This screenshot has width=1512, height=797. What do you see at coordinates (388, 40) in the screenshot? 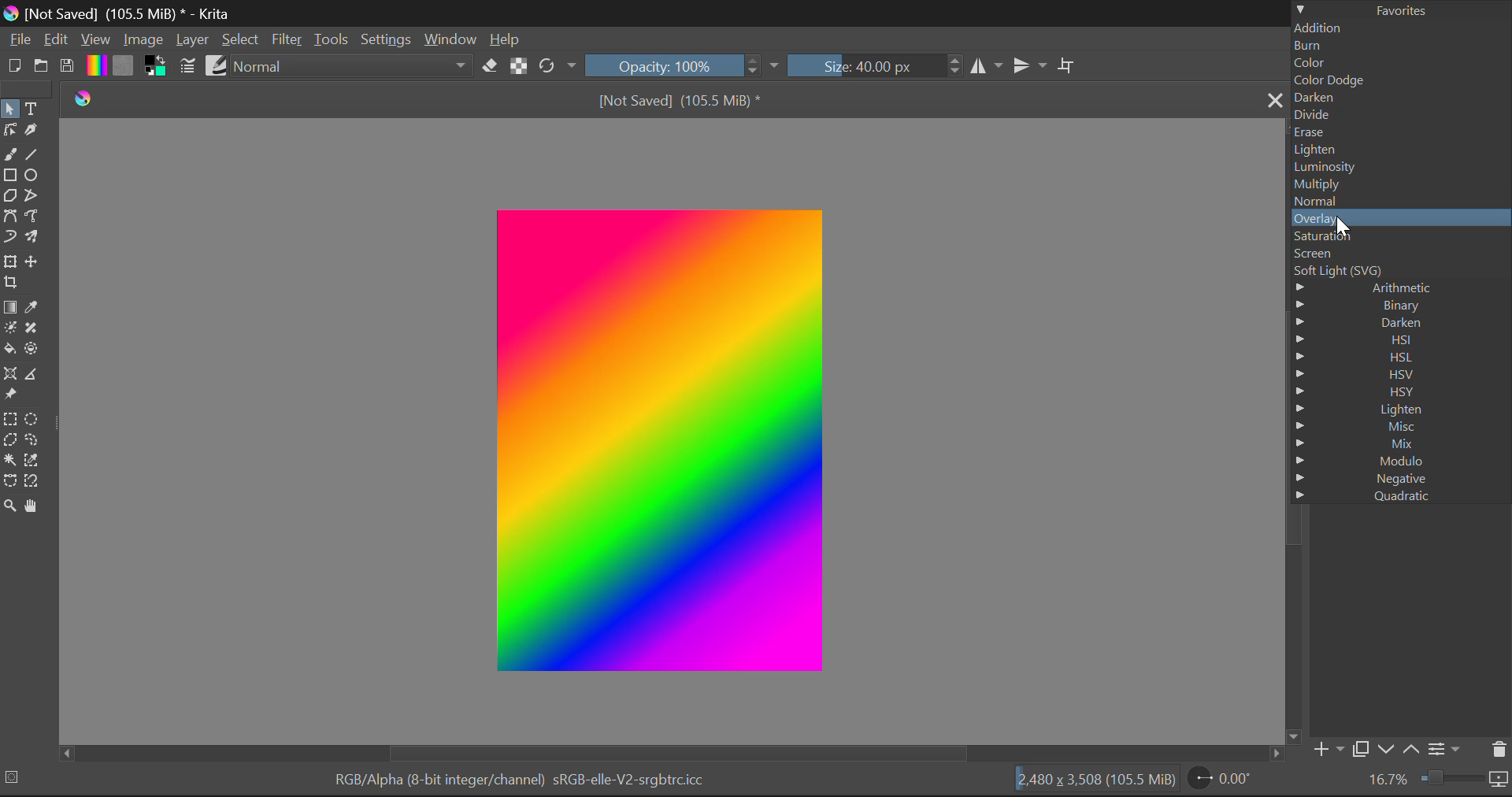
I see `Settings` at bounding box center [388, 40].